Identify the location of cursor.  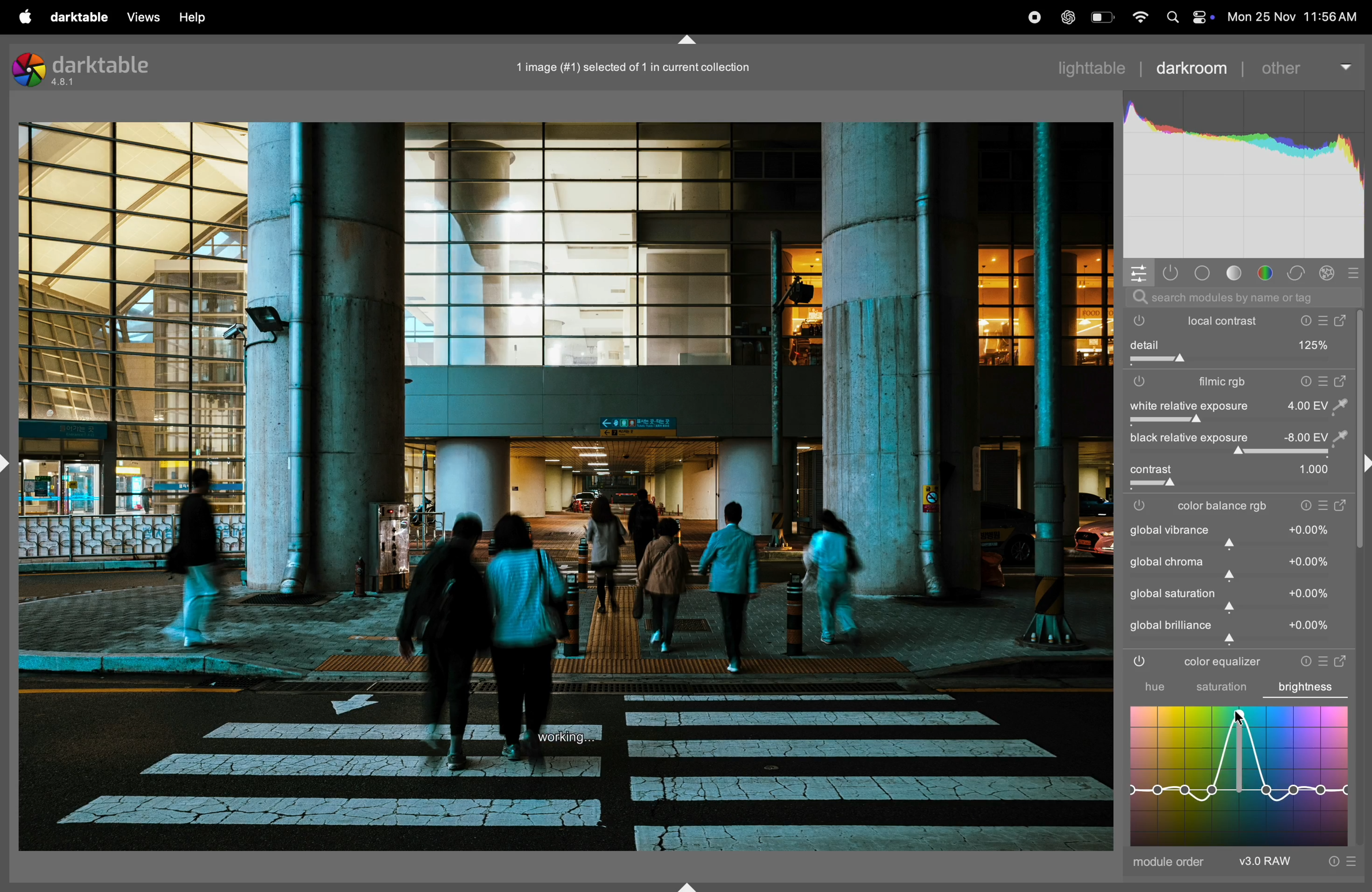
(1237, 720).